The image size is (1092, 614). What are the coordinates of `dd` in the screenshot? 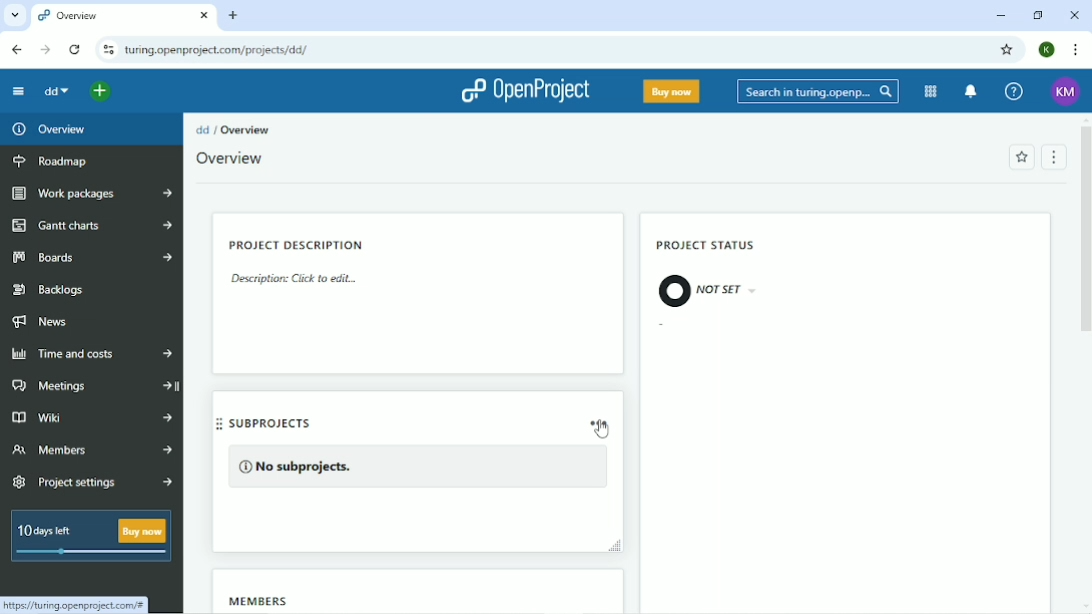 It's located at (203, 129).